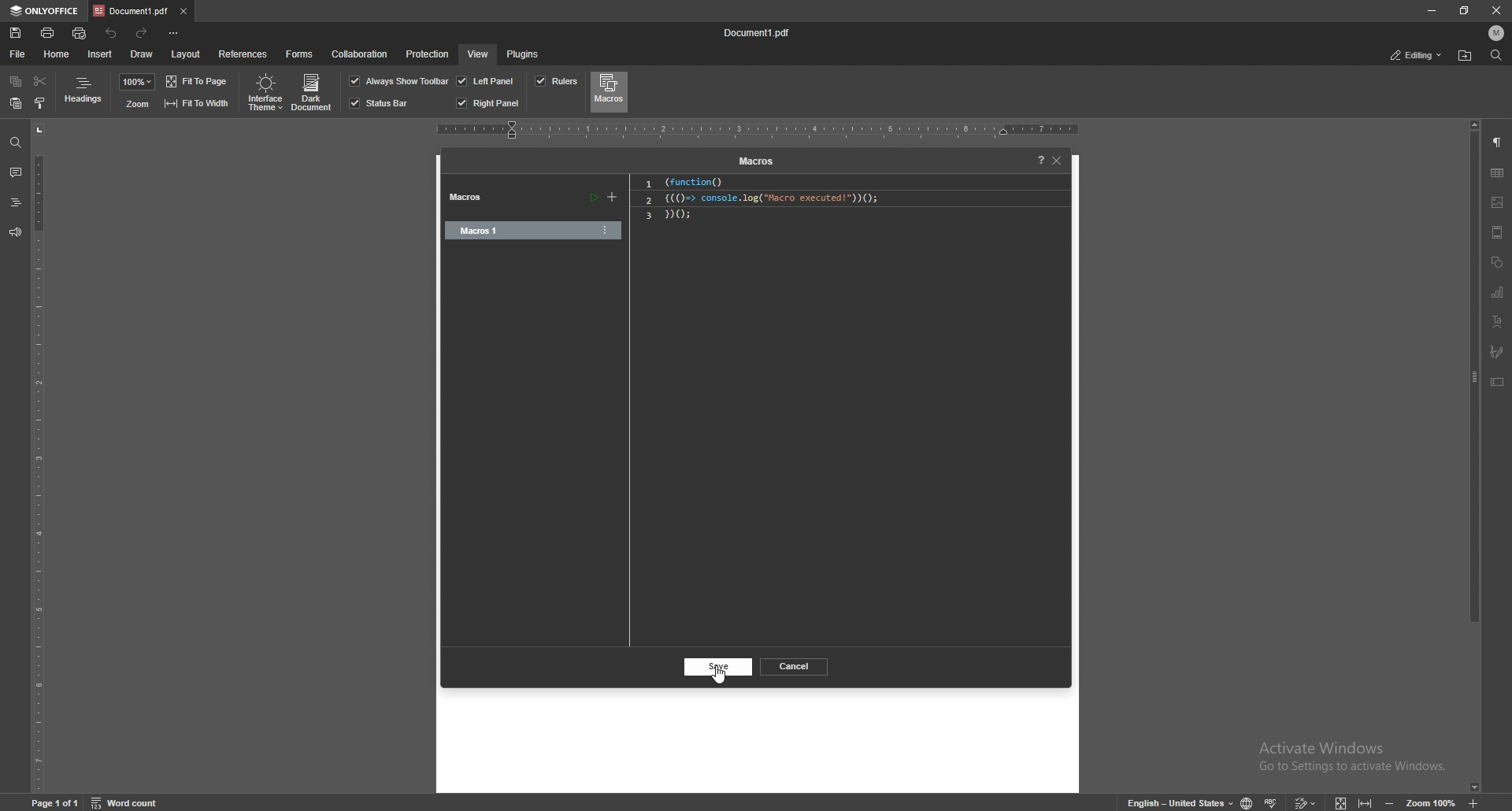 This screenshot has height=811, width=1512. What do you see at coordinates (1498, 143) in the screenshot?
I see `paragraph` at bounding box center [1498, 143].